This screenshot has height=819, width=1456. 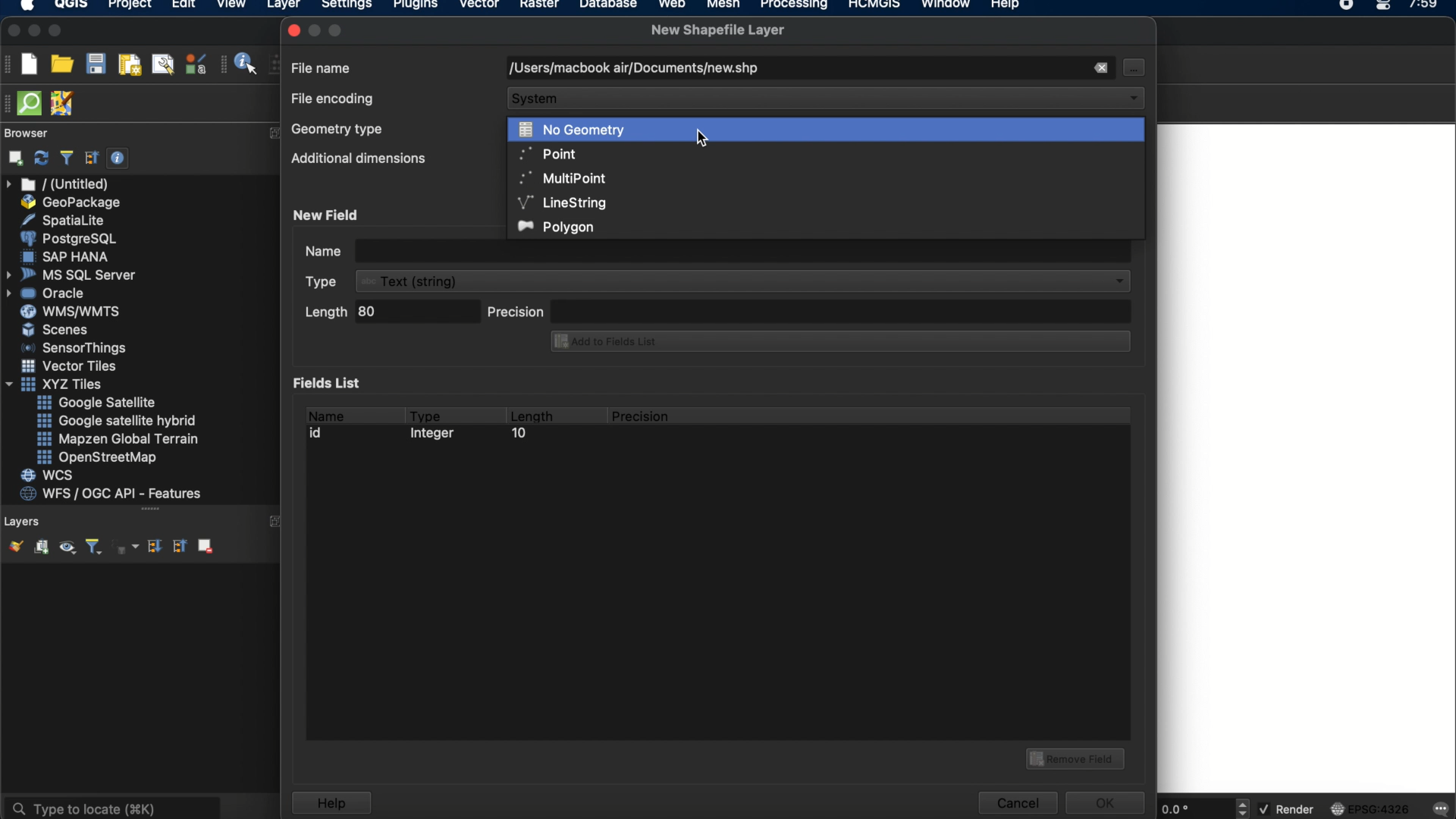 I want to click on edit, so click(x=184, y=6).